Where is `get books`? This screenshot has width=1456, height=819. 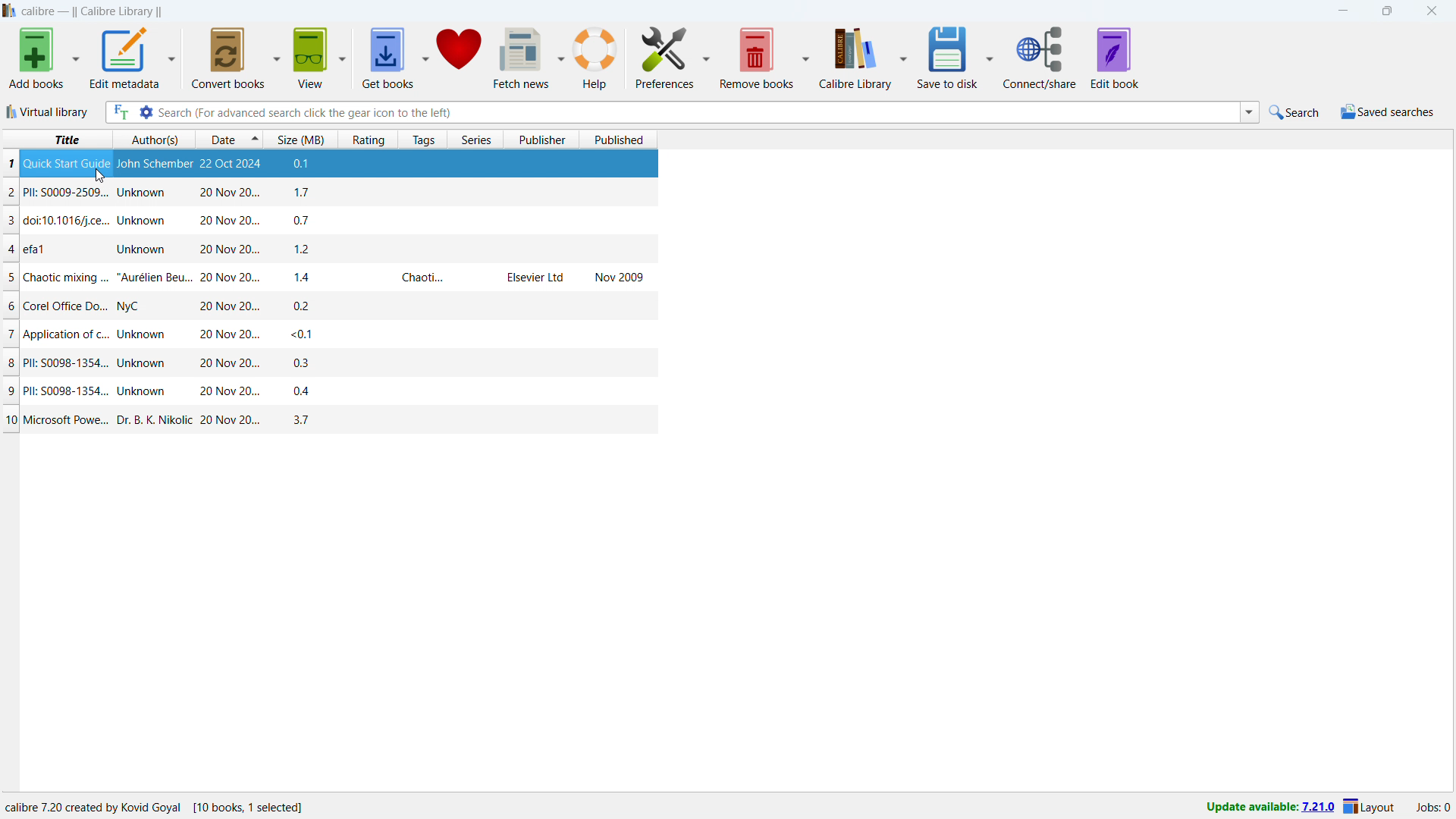
get books is located at coordinates (388, 57).